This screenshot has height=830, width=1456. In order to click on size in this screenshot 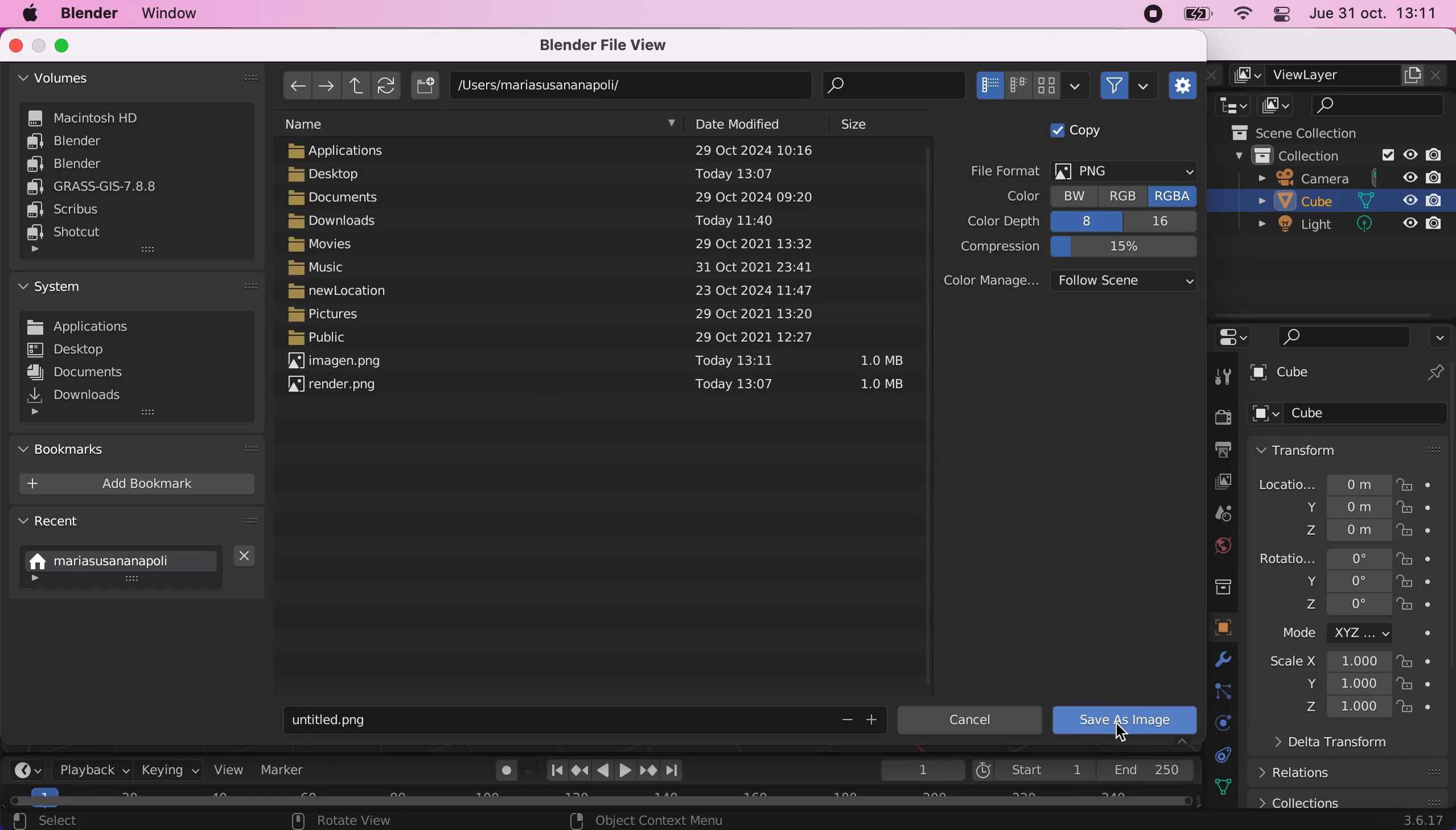, I will do `click(872, 124)`.